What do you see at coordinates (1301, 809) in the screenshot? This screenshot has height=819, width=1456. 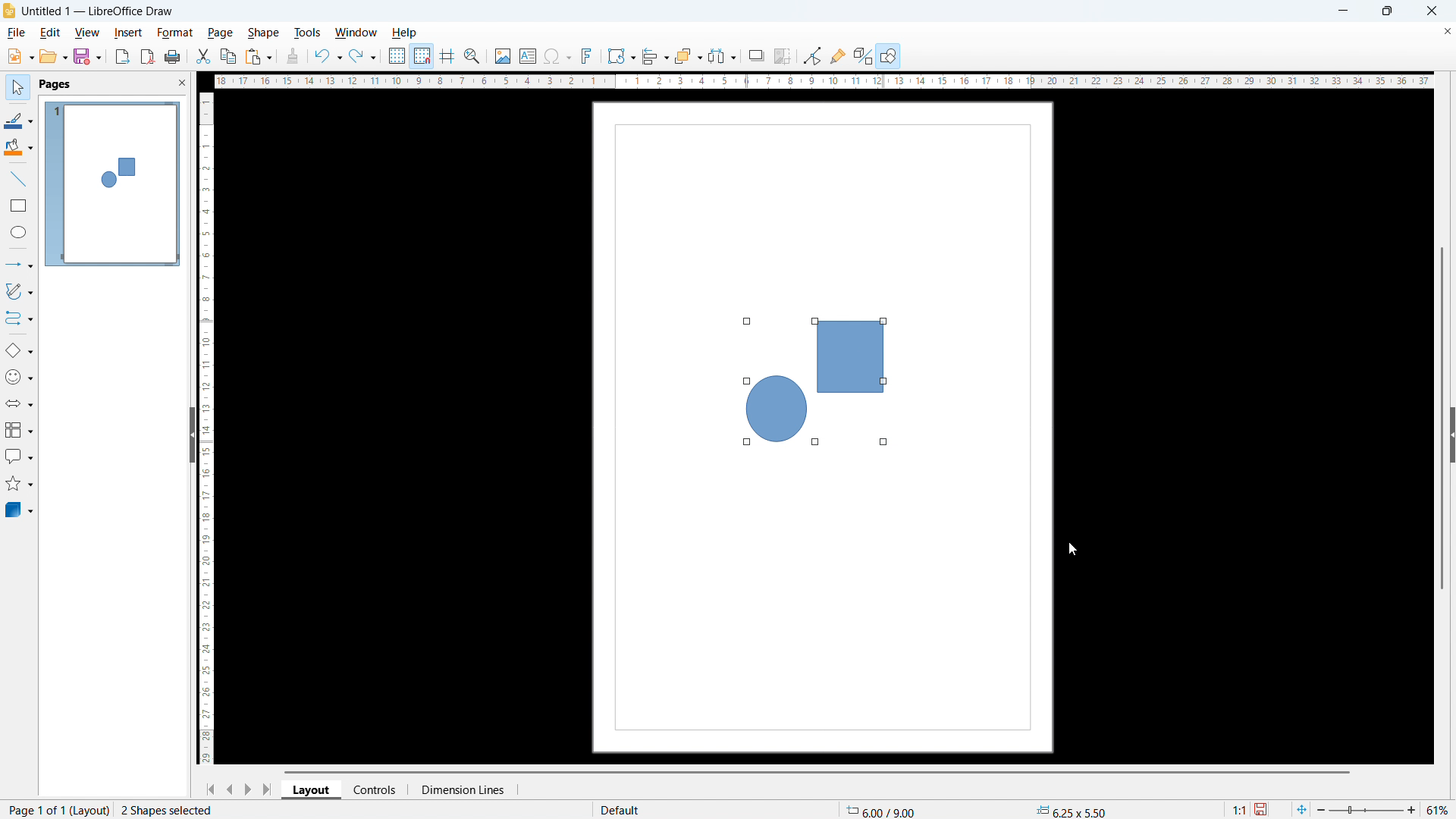 I see `fit to page` at bounding box center [1301, 809].